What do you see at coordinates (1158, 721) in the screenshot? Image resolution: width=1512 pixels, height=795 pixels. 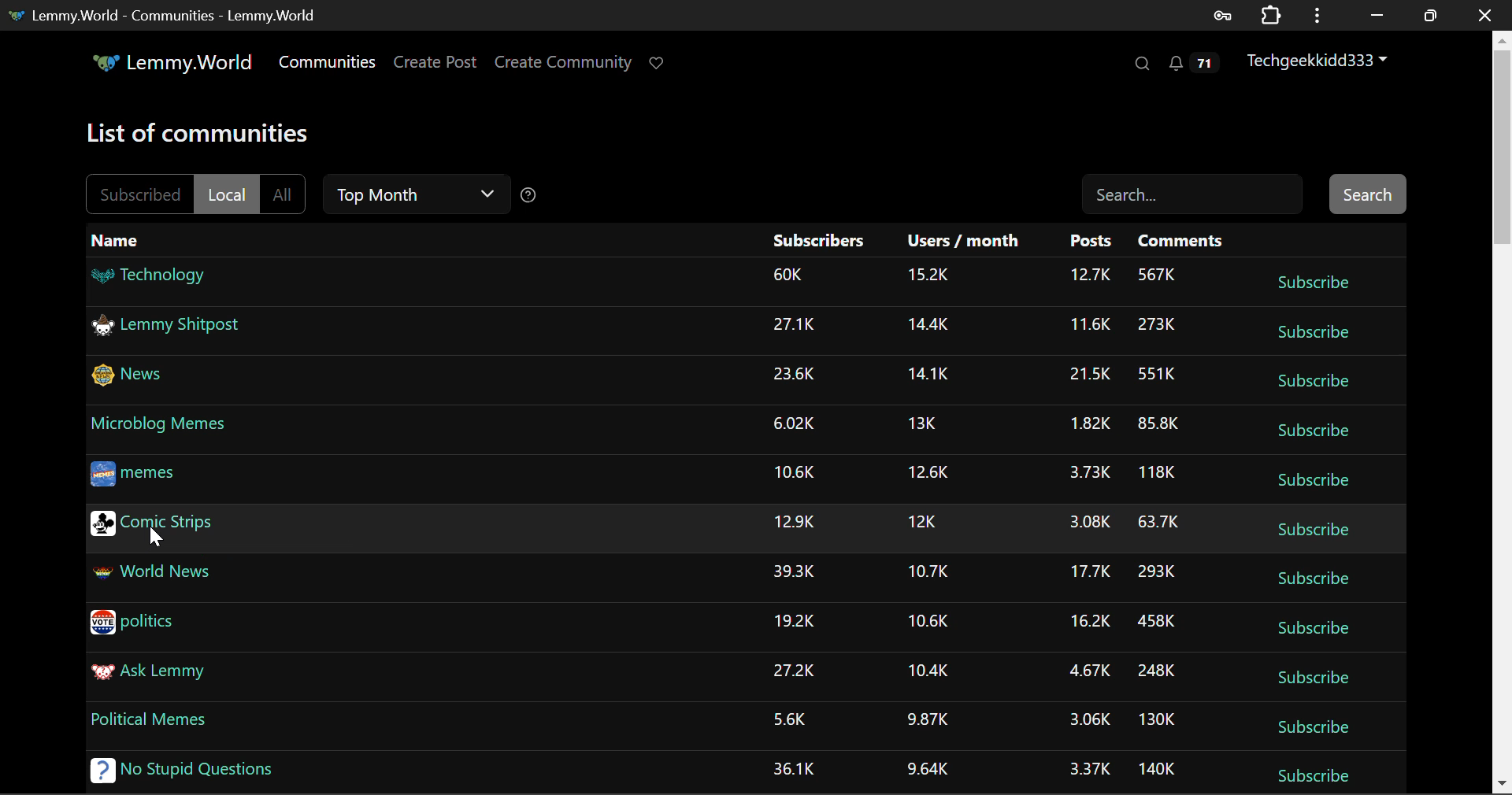 I see `130K` at bounding box center [1158, 721].